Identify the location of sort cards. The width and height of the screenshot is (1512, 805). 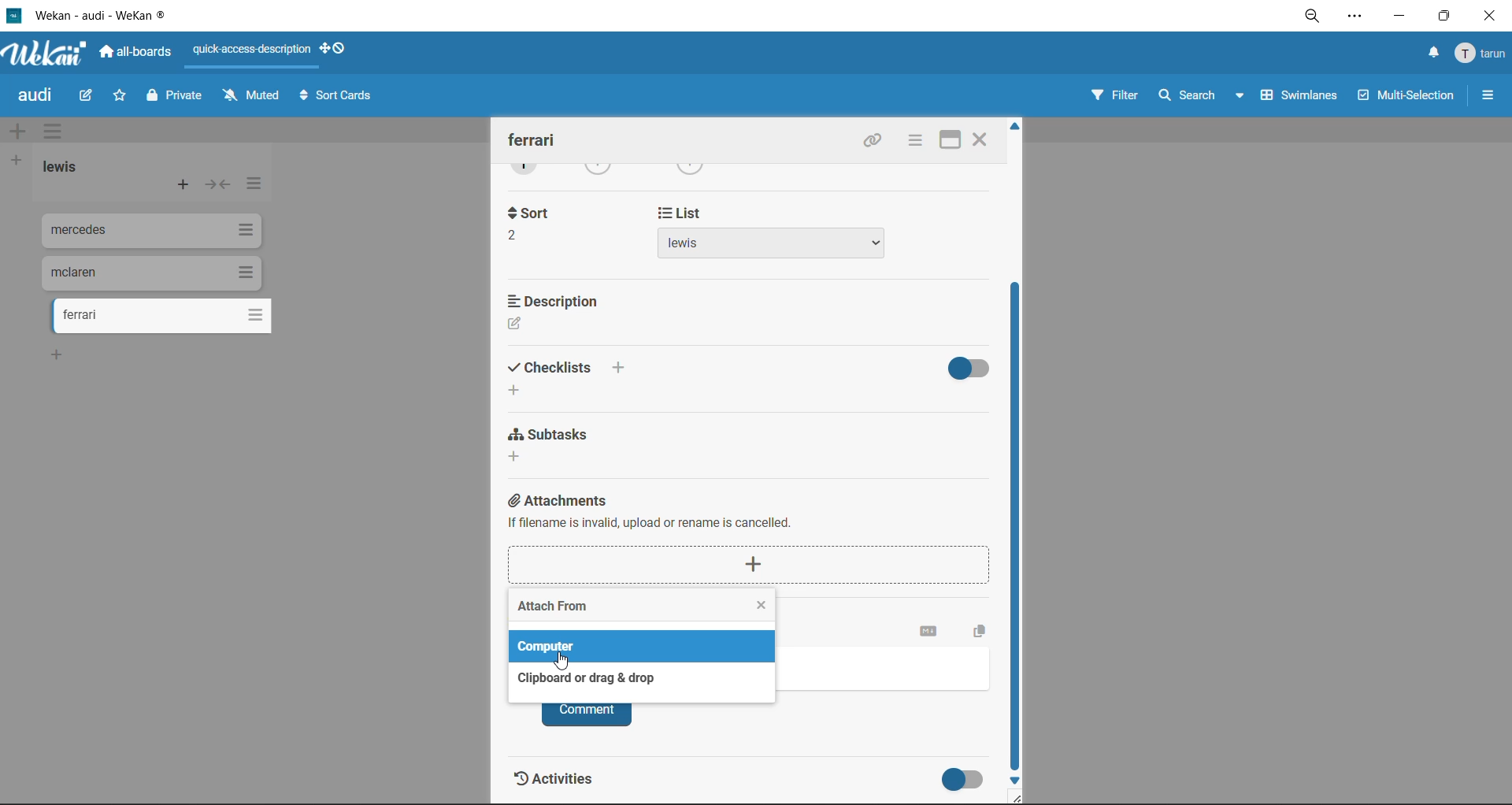
(336, 98).